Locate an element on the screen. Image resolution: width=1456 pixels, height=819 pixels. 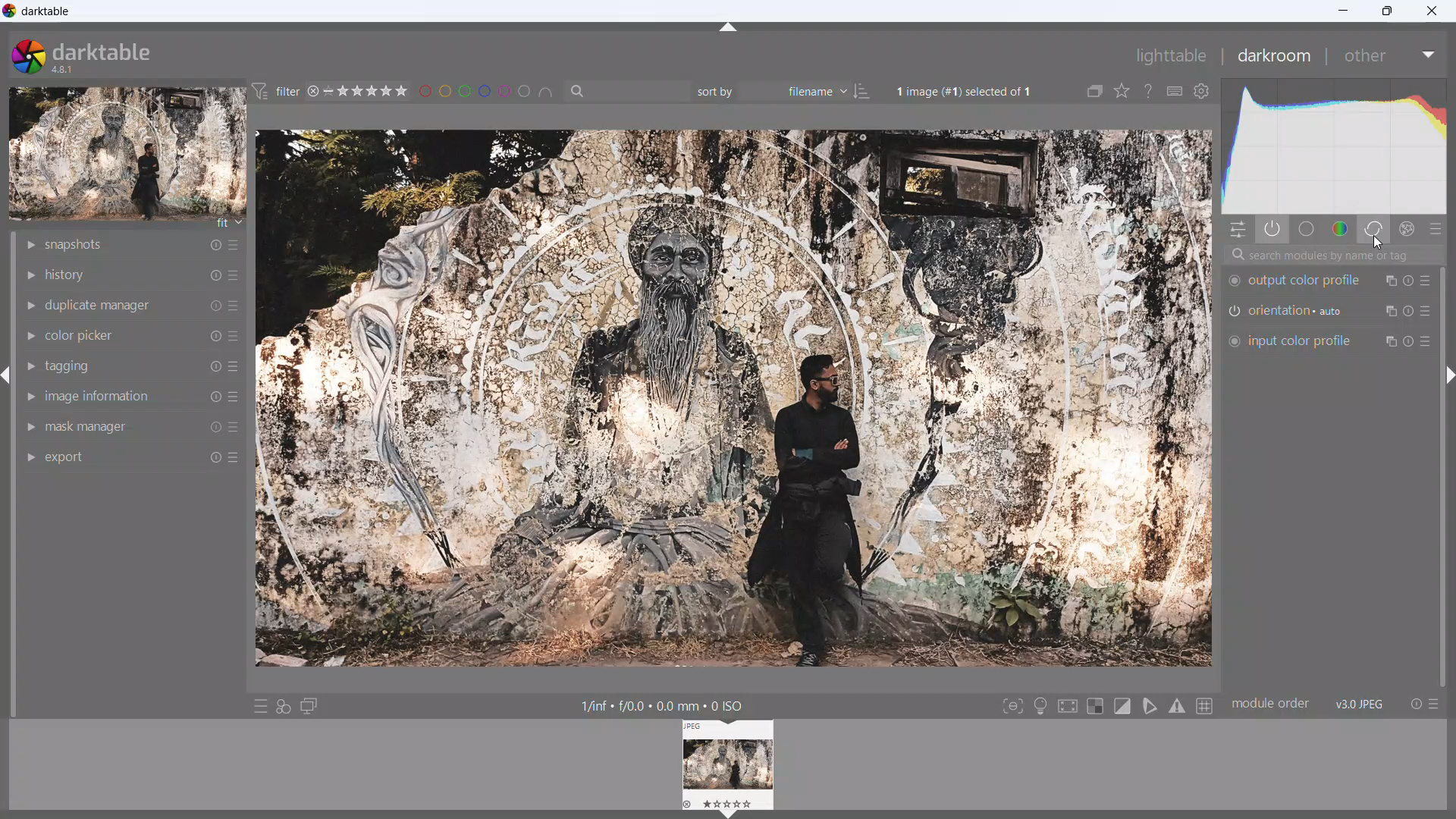
reset is located at coordinates (1409, 340).